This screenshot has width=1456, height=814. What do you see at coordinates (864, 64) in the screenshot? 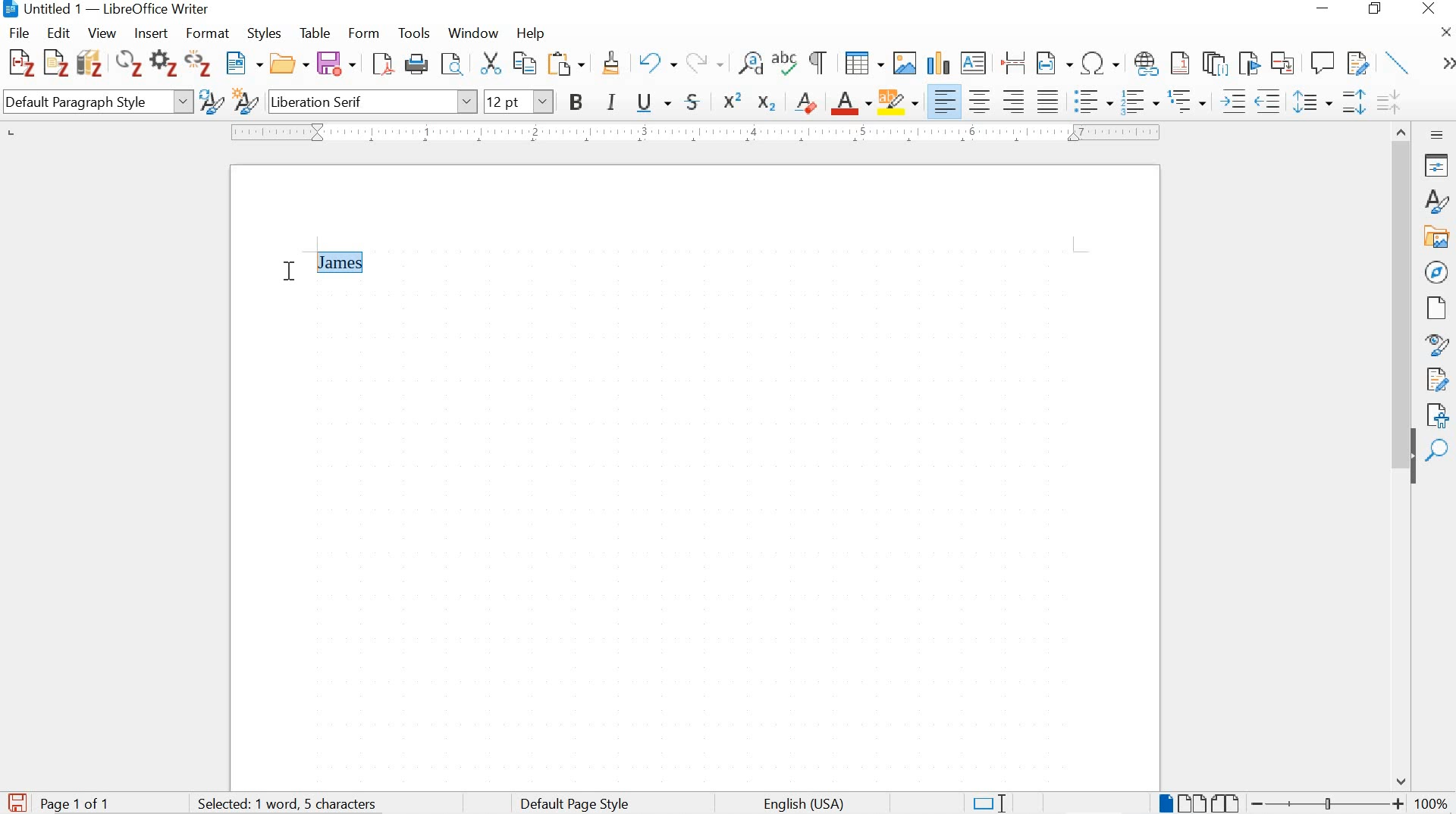
I see `insert table` at bounding box center [864, 64].